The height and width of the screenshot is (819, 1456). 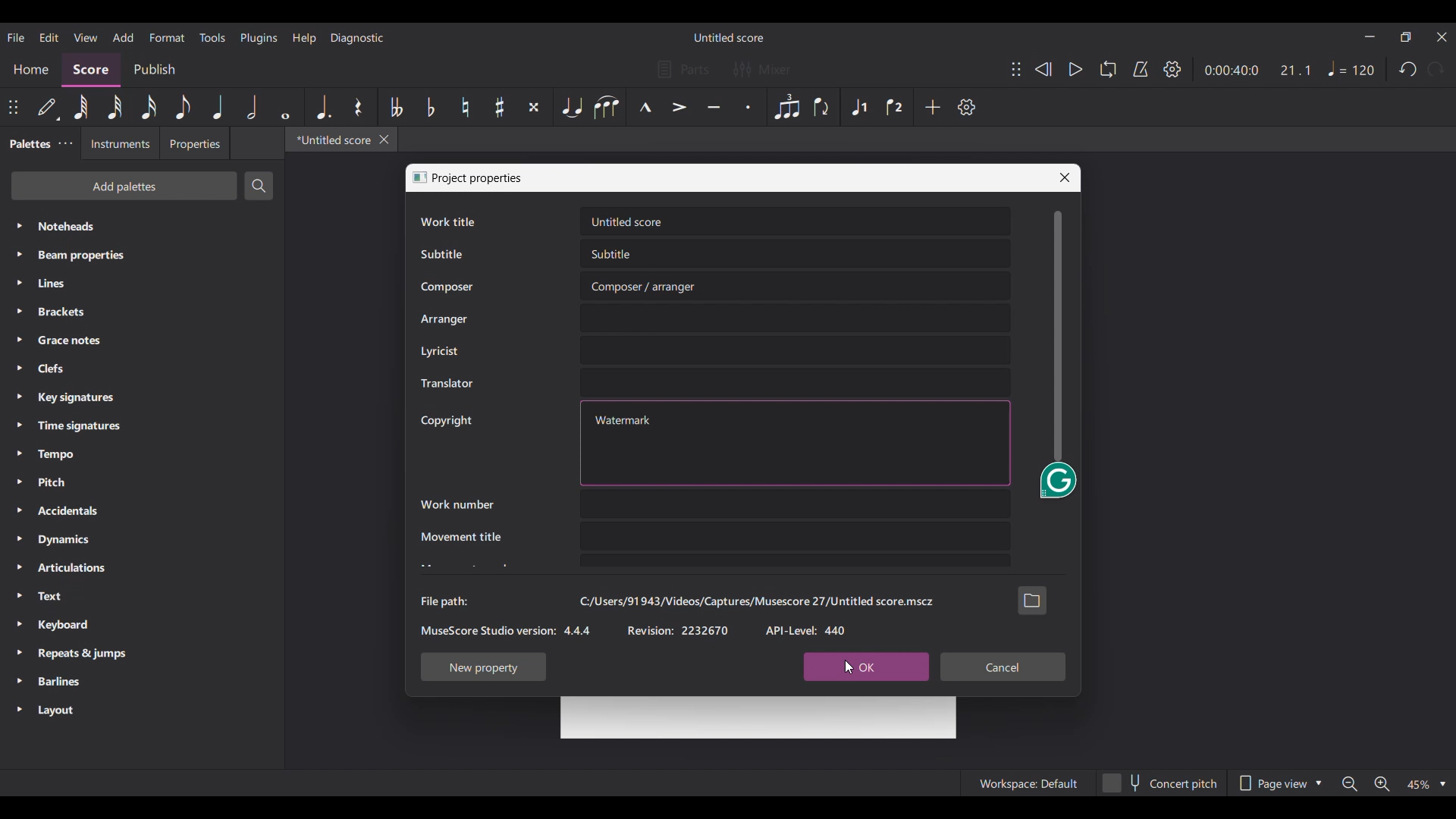 I want to click on Whole note, so click(x=285, y=107).